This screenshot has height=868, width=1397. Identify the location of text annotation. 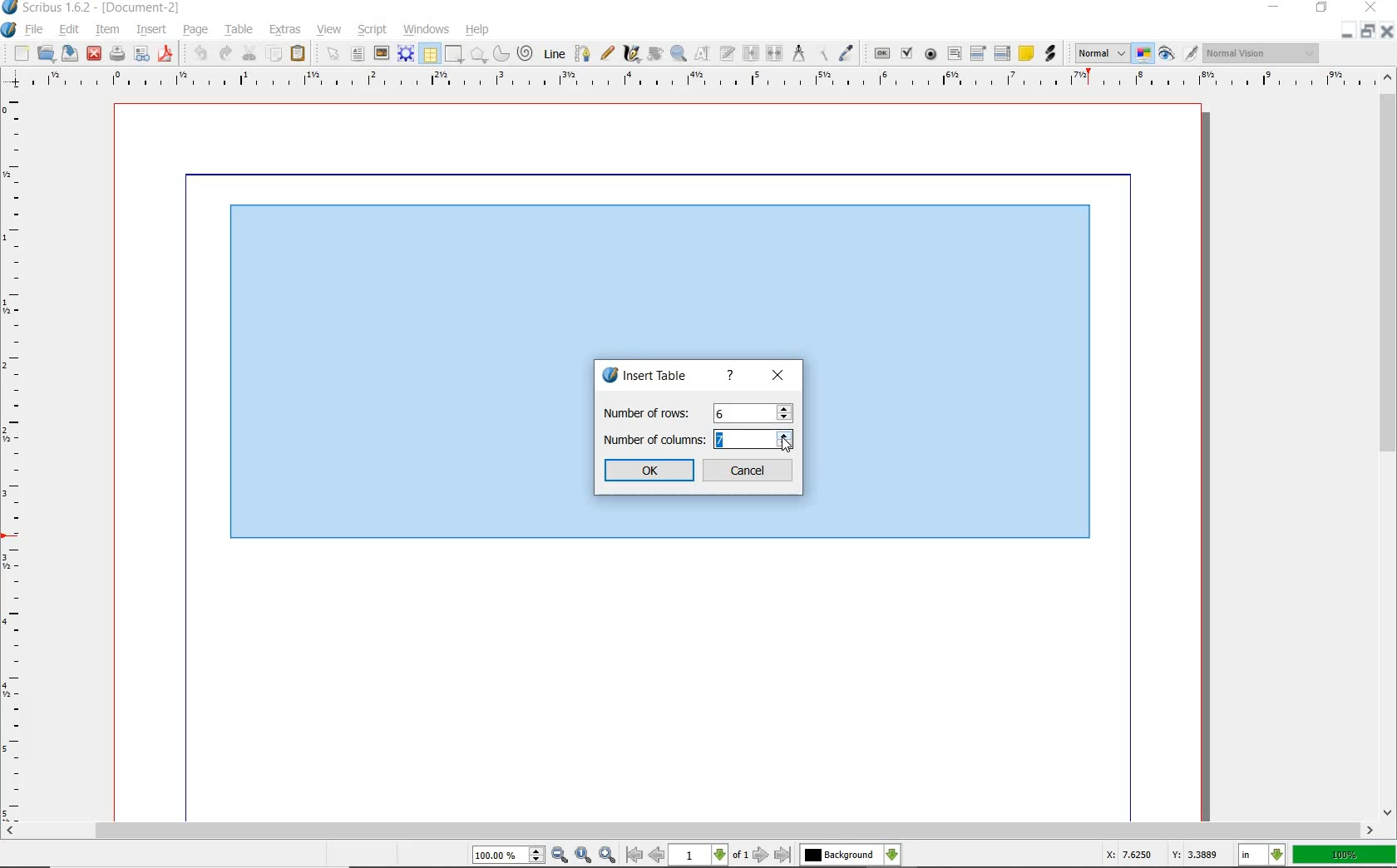
(1026, 52).